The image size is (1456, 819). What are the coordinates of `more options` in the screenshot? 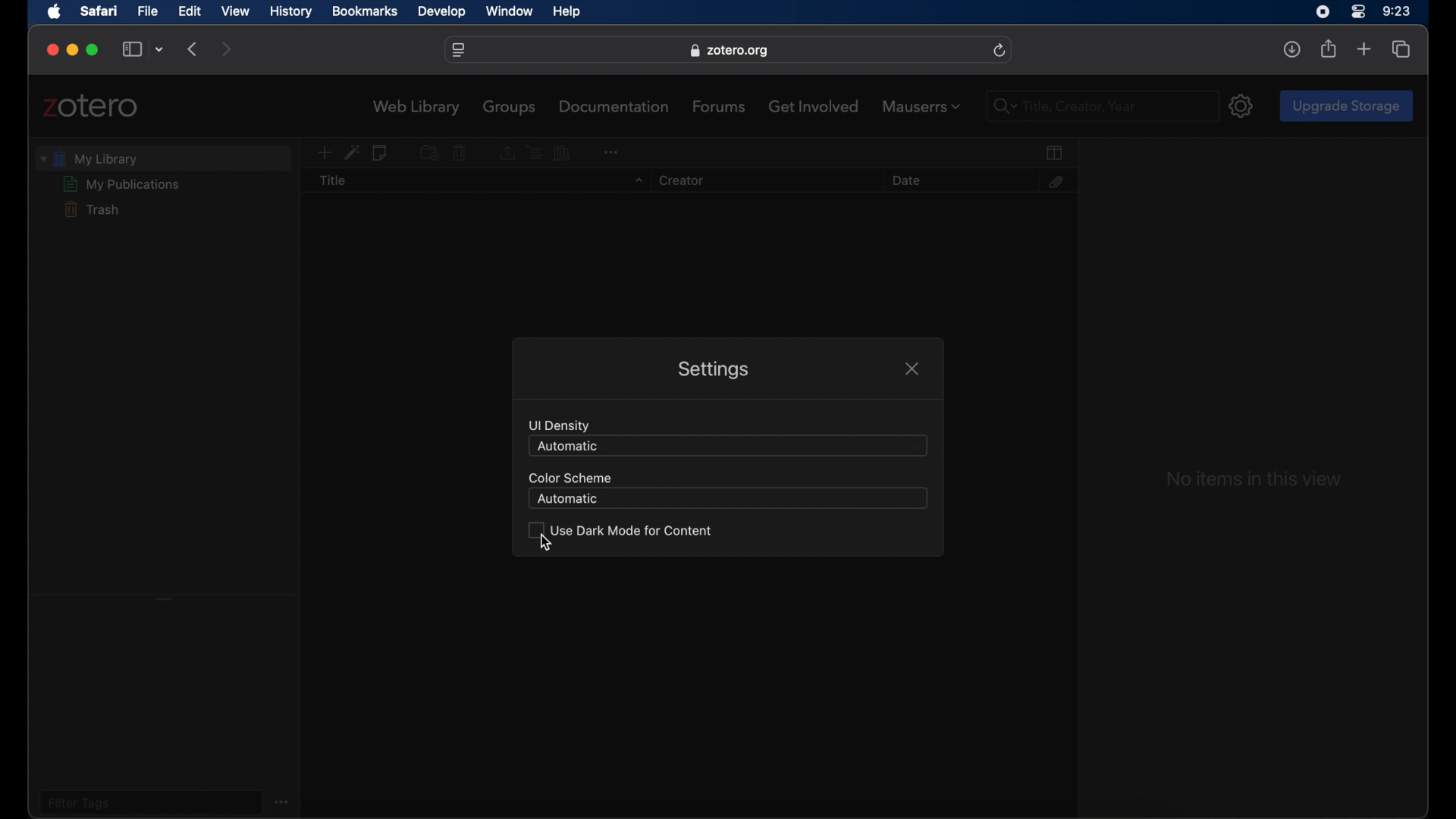 It's located at (284, 801).